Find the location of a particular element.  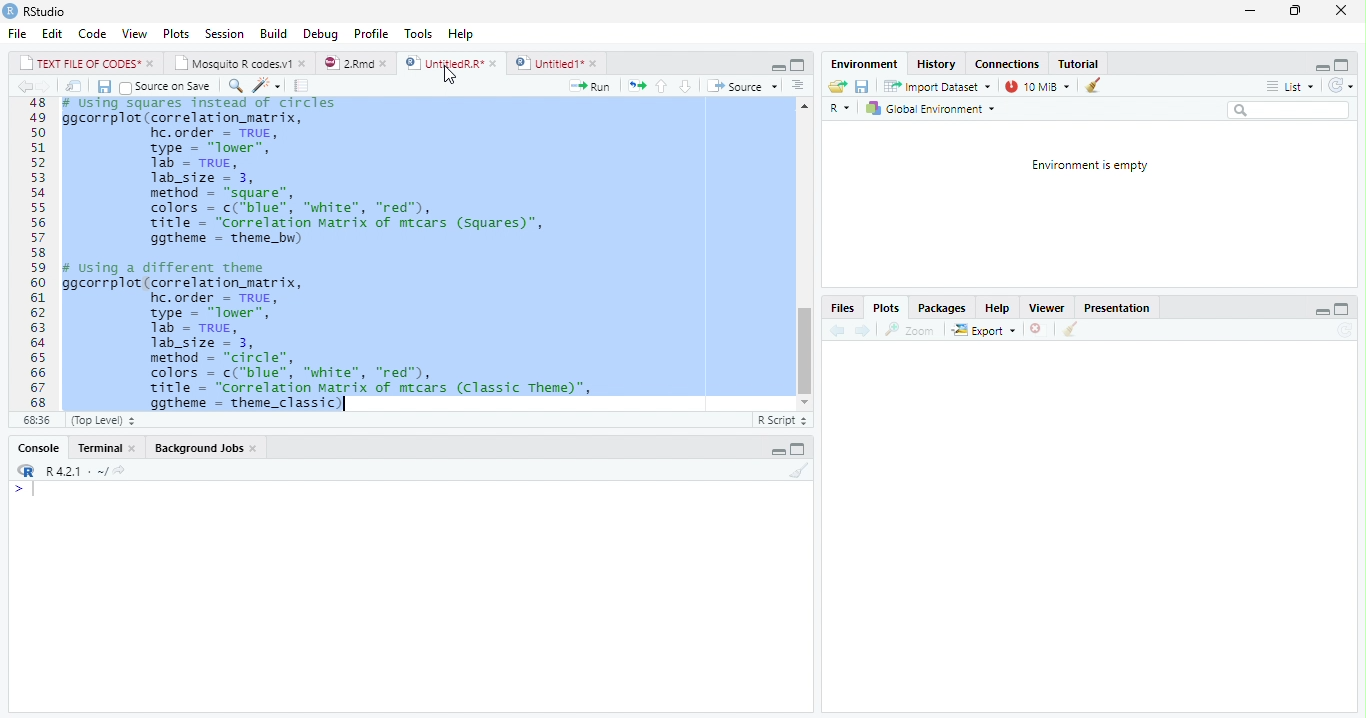

Environment is located at coordinates (864, 64).